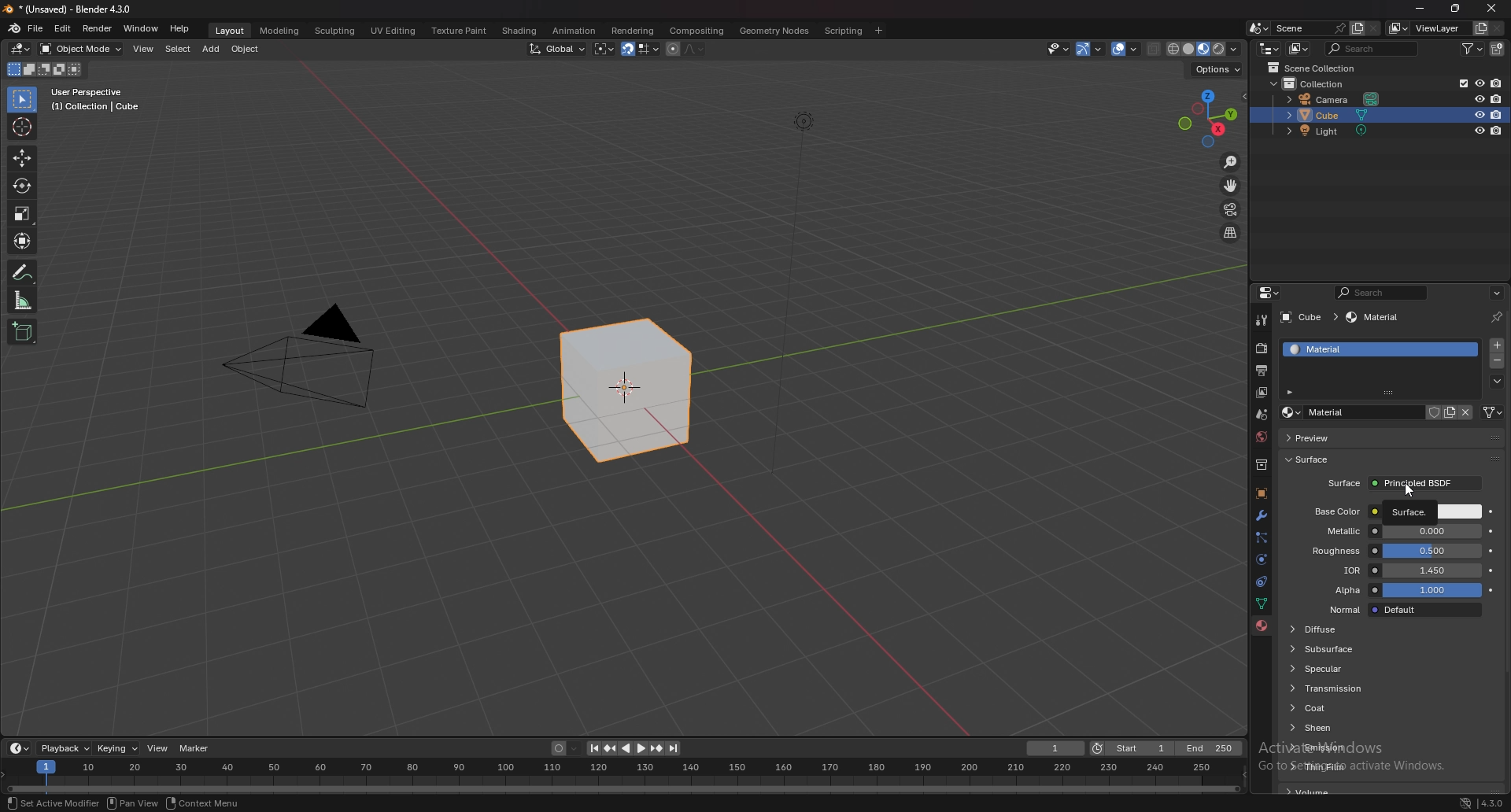  I want to click on editor type, so click(20, 49).